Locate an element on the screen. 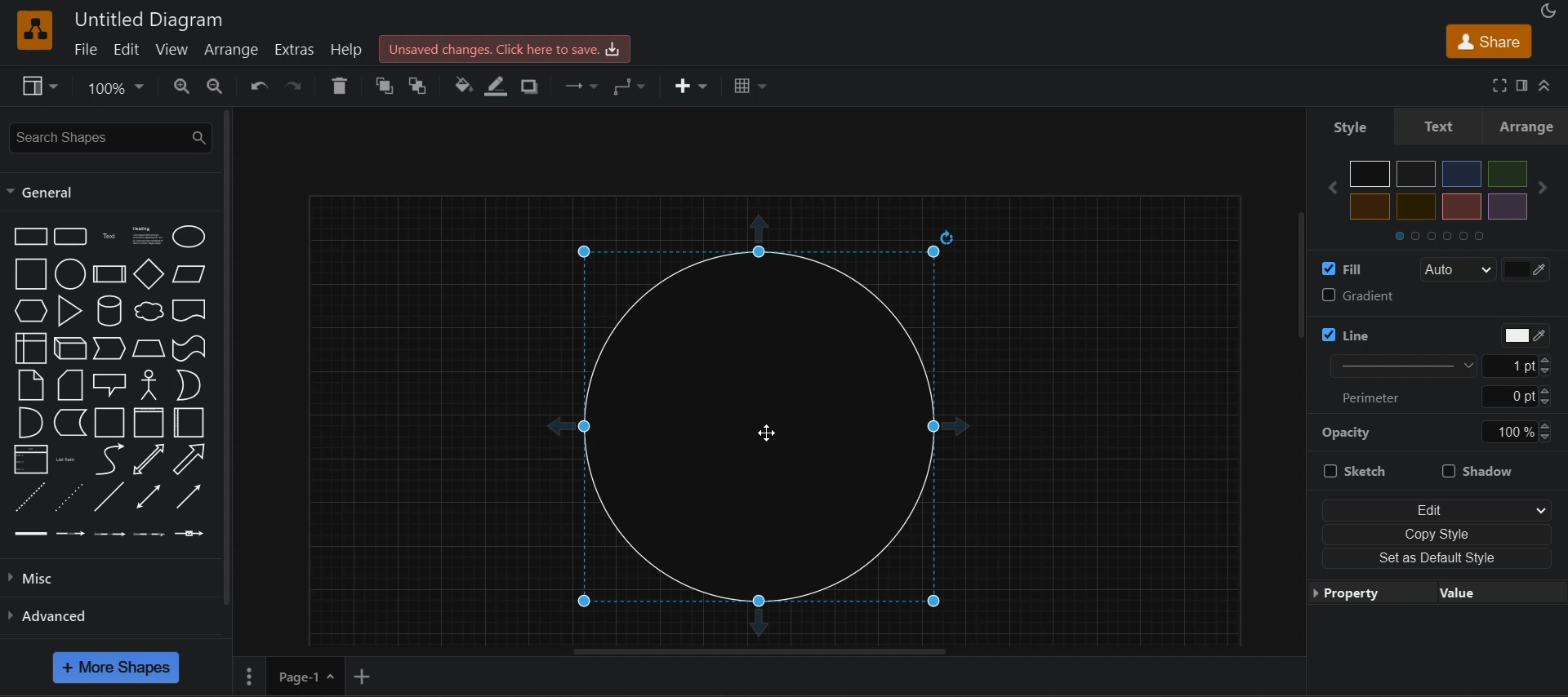 The image size is (1568, 697). document is located at coordinates (192, 309).